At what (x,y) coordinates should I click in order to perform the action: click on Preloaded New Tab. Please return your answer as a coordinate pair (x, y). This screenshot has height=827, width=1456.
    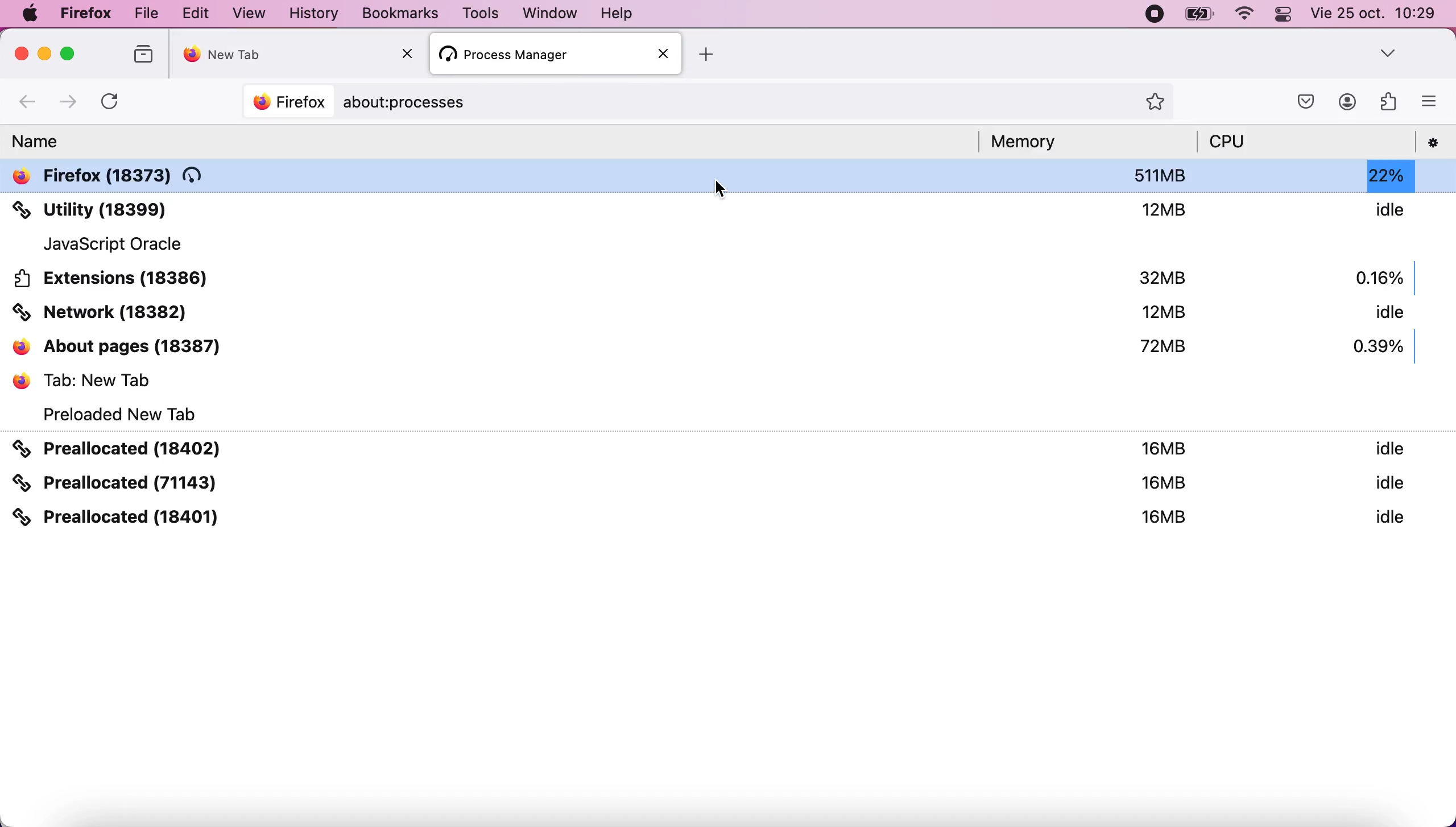
    Looking at the image, I should click on (114, 413).